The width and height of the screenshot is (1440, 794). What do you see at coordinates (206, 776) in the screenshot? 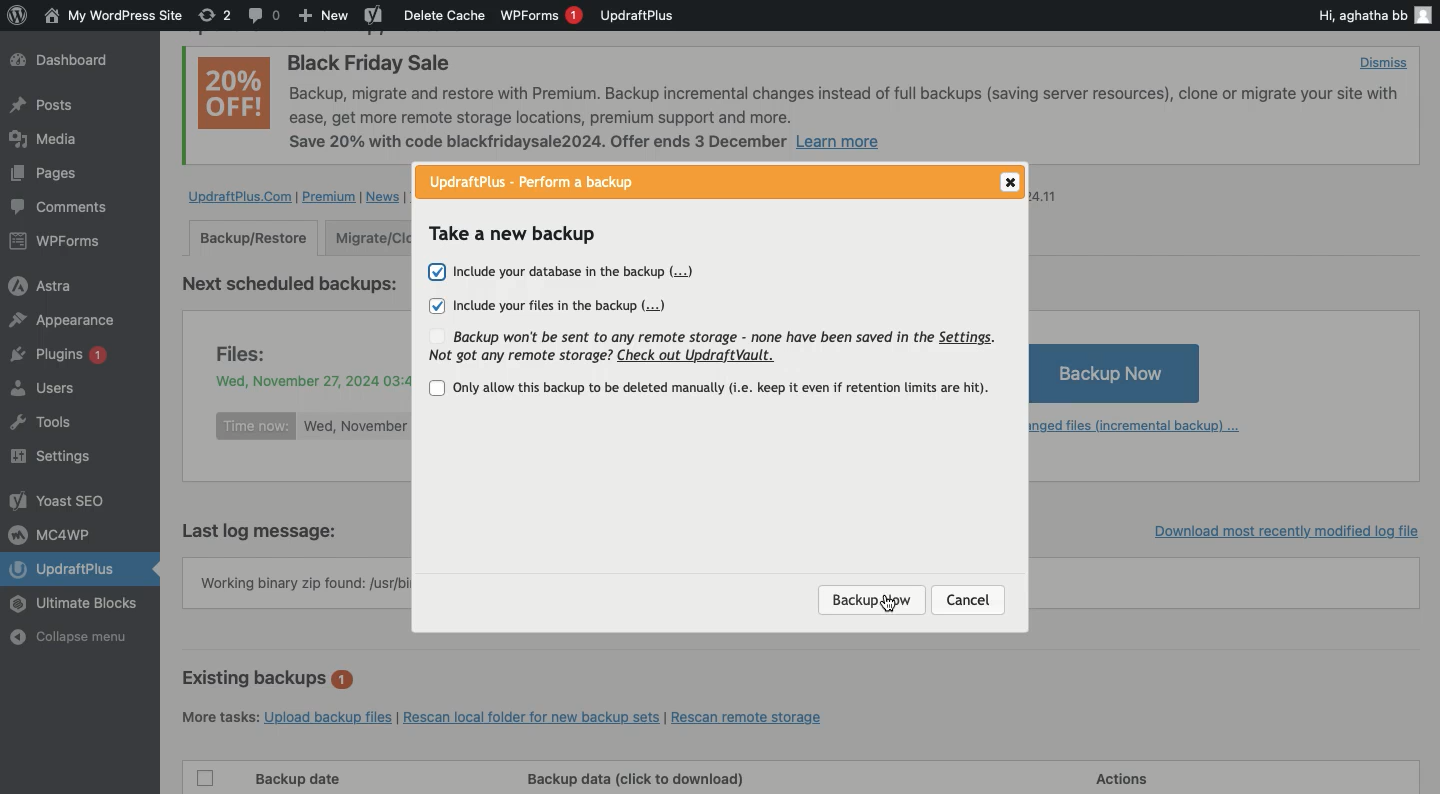
I see `Checkbox` at bounding box center [206, 776].